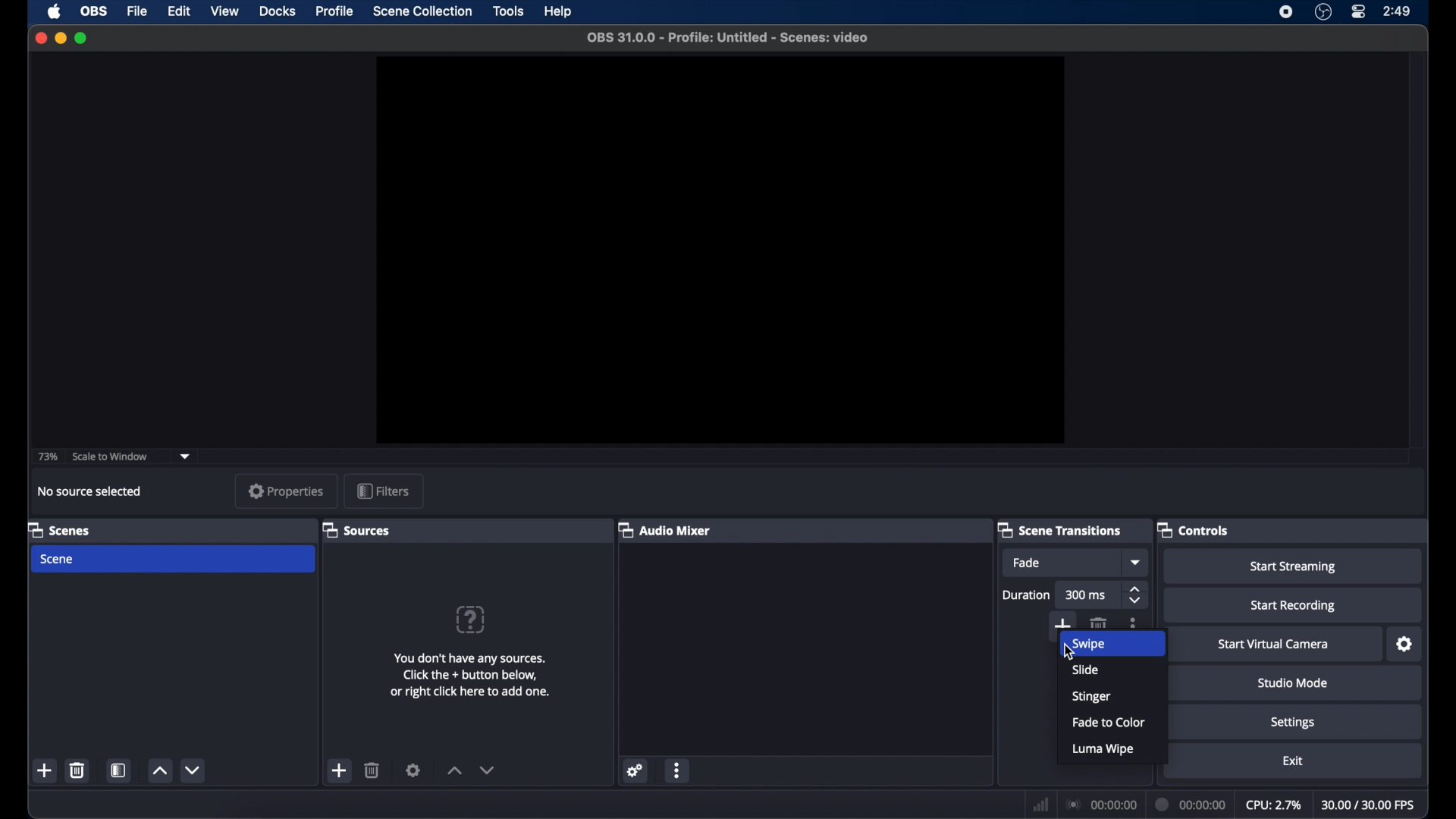 This screenshot has height=819, width=1456. I want to click on delete, so click(77, 770).